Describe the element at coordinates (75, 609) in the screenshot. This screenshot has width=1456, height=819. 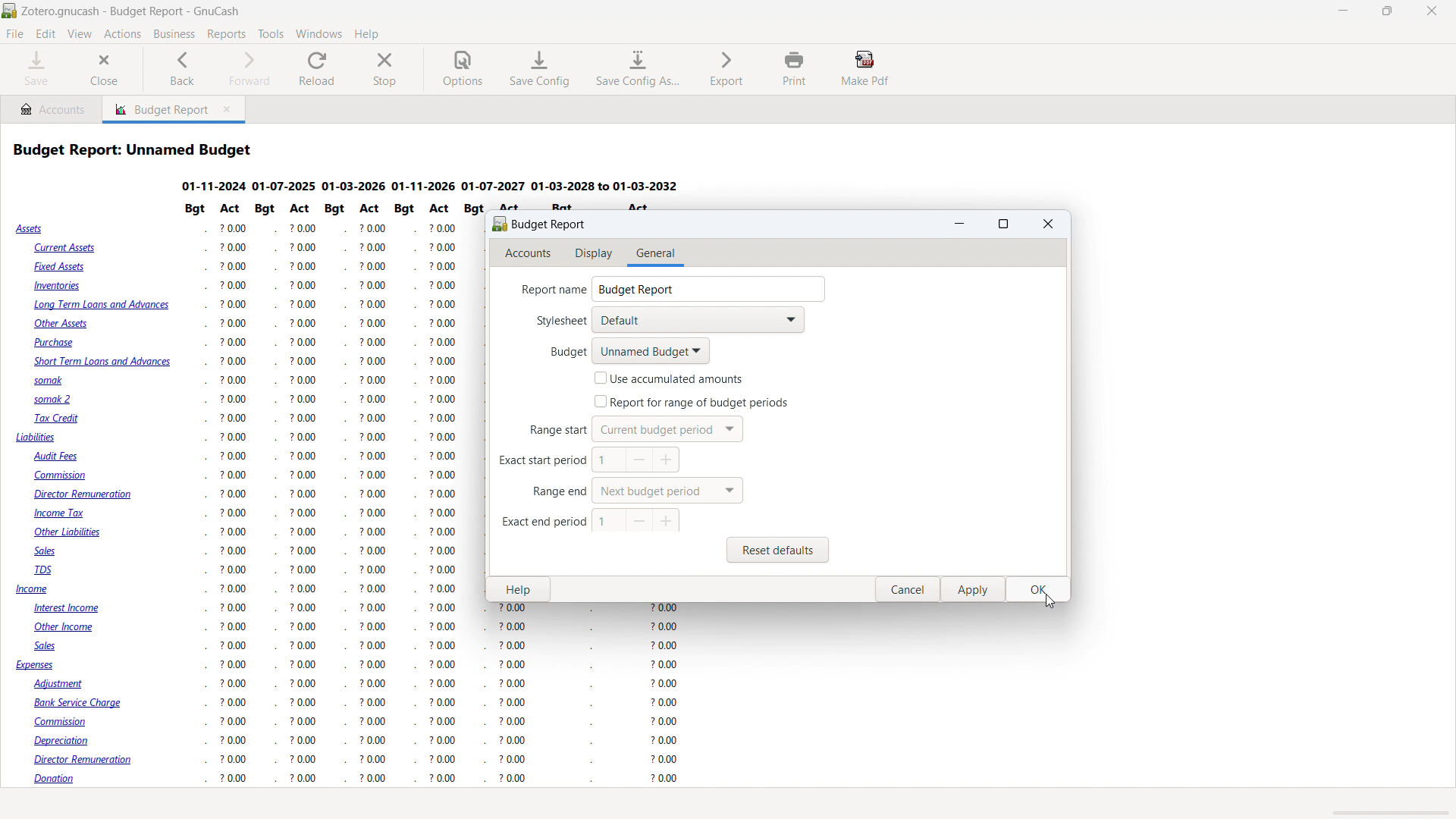
I see `Interest Income` at that location.